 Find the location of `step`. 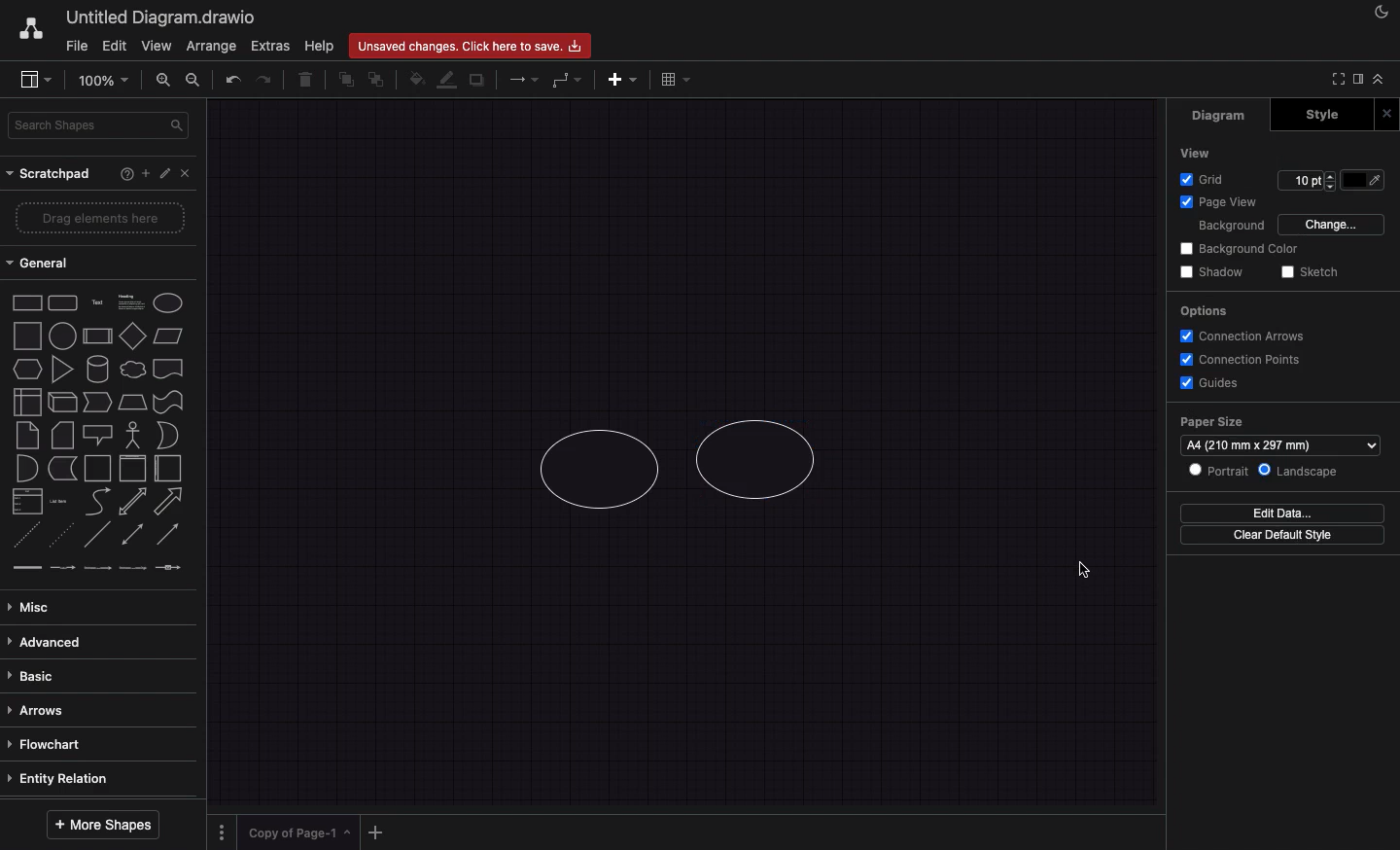

step is located at coordinates (97, 402).